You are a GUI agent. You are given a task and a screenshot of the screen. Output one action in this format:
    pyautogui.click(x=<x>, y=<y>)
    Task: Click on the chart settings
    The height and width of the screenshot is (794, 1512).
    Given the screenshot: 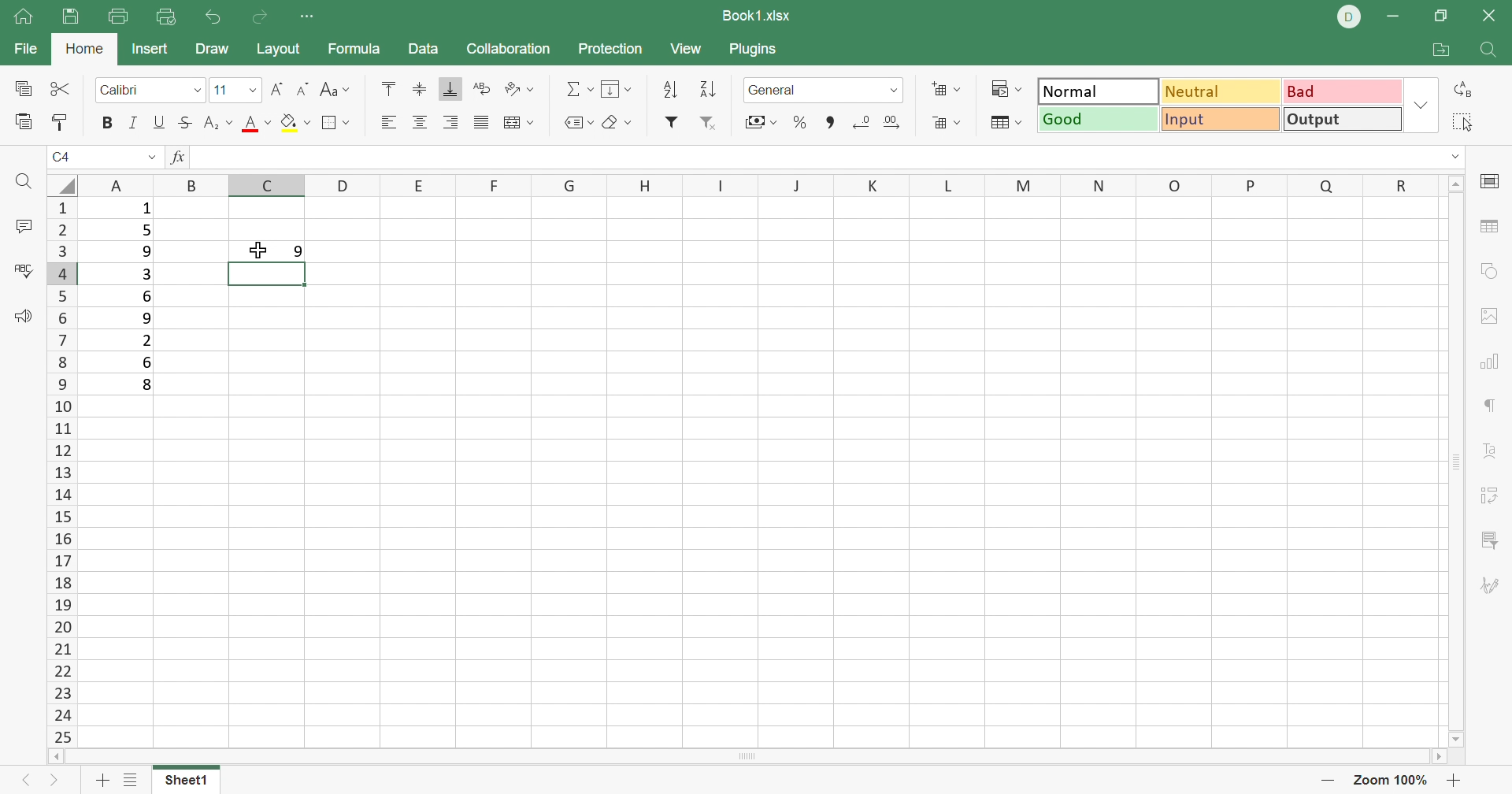 What is the action you would take?
    pyautogui.click(x=1492, y=362)
    